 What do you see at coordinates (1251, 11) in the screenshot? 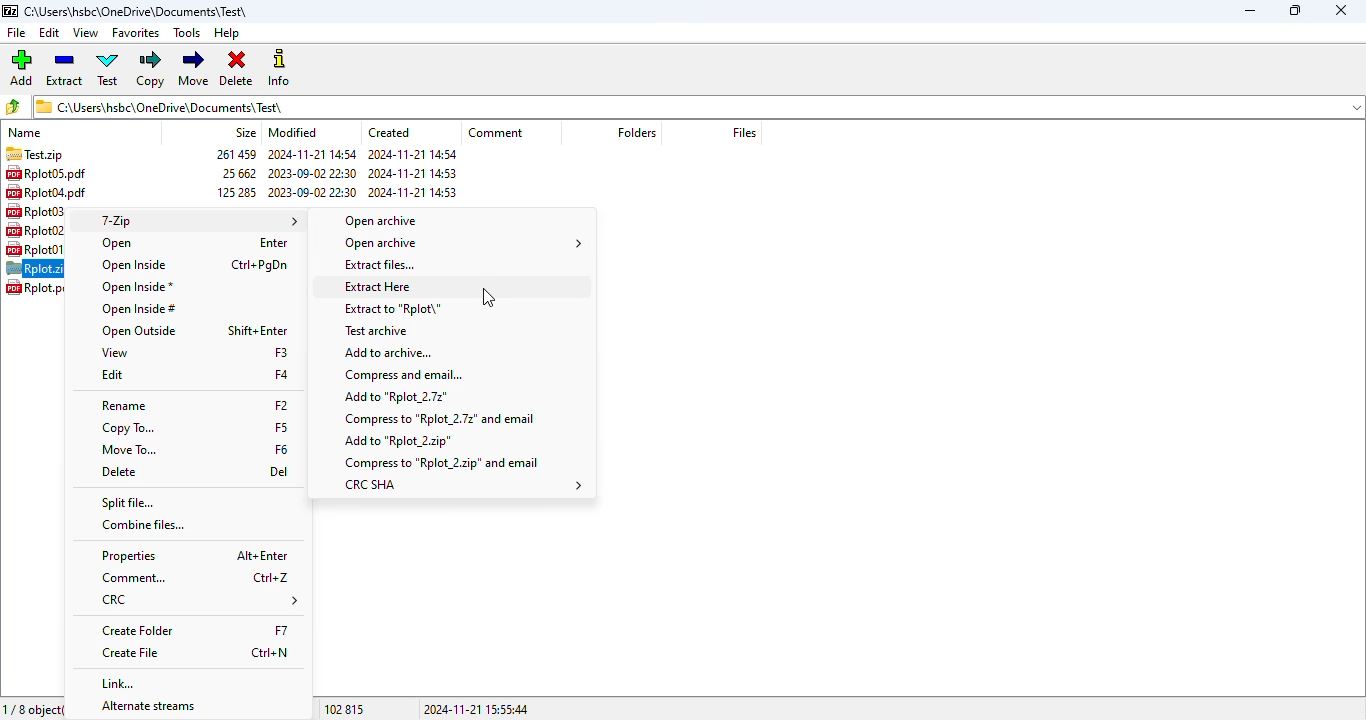
I see `minimize` at bounding box center [1251, 11].